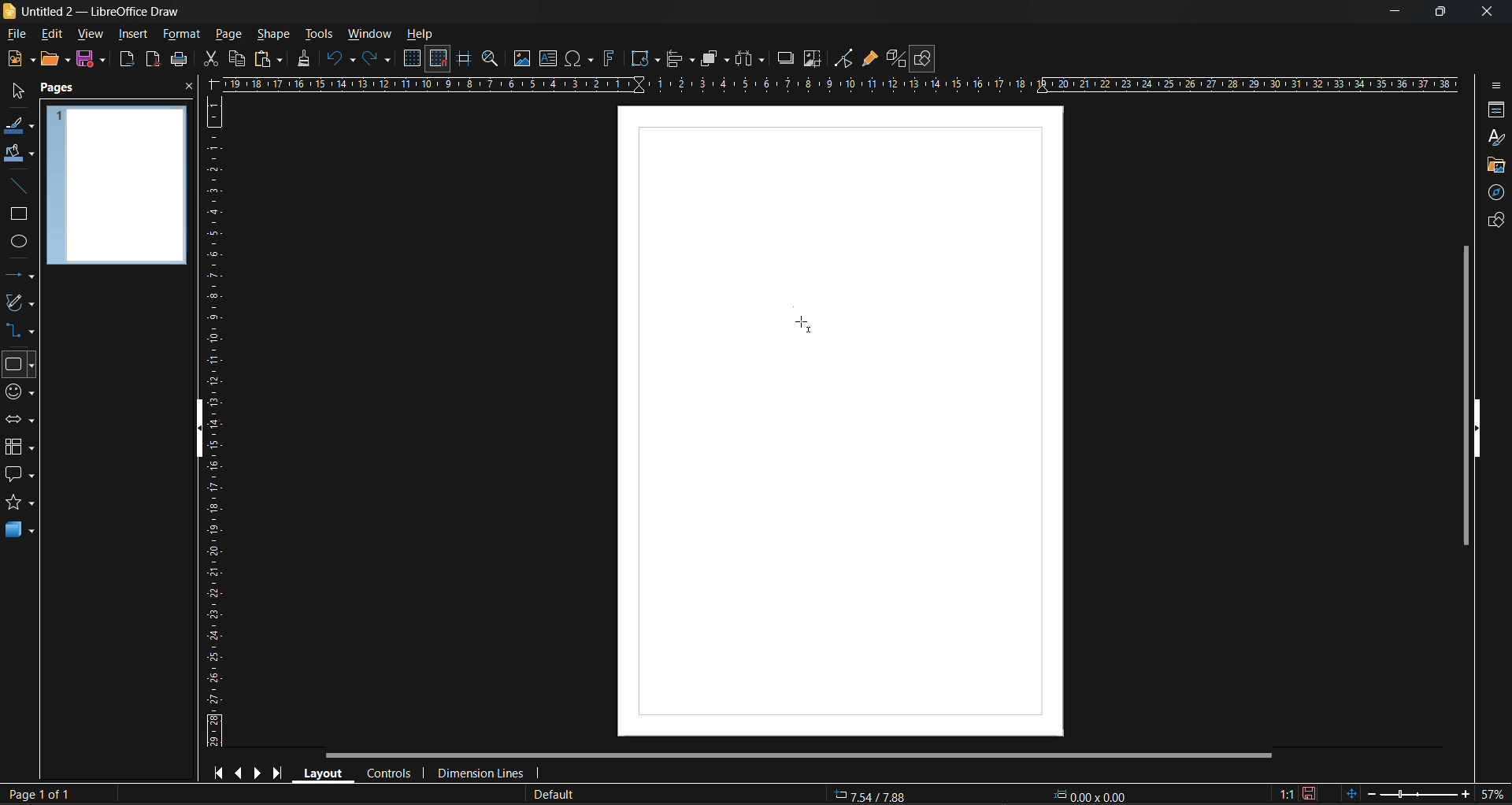  I want to click on new, so click(20, 58).